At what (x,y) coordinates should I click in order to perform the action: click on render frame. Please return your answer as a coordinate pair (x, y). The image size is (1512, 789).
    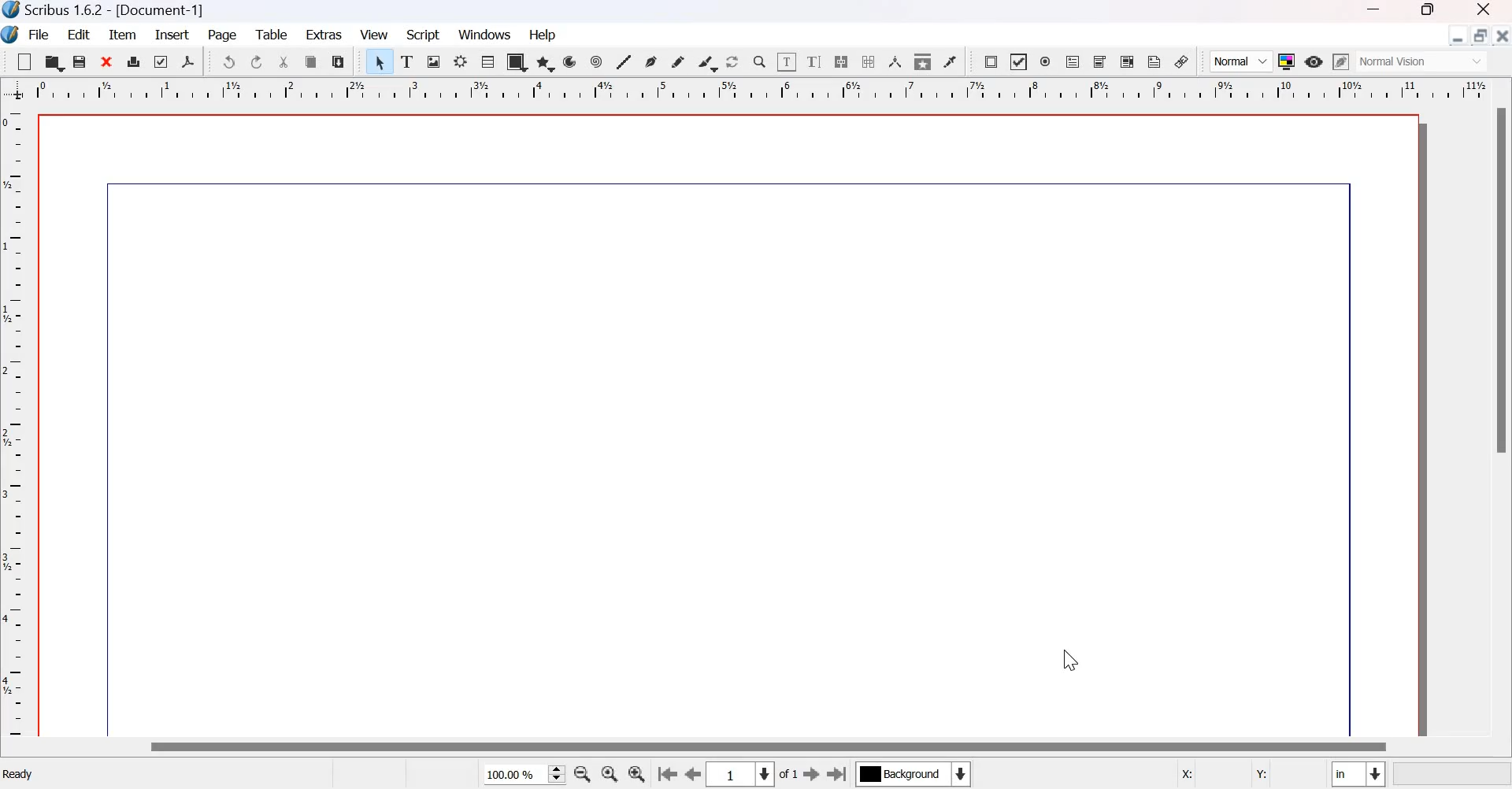
    Looking at the image, I should click on (461, 61).